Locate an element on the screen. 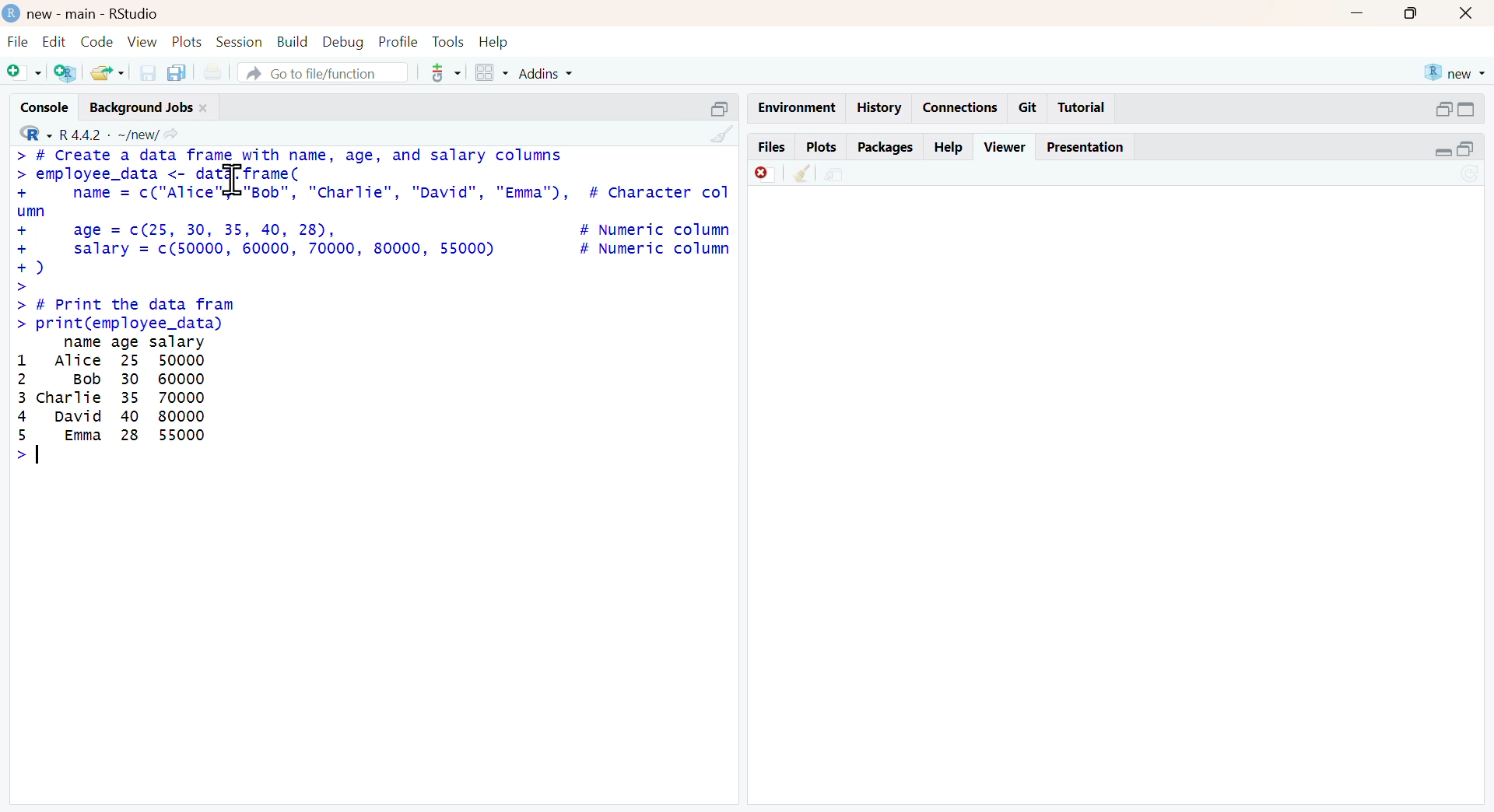 The height and width of the screenshot is (812, 1494). Git is located at coordinates (1029, 107).